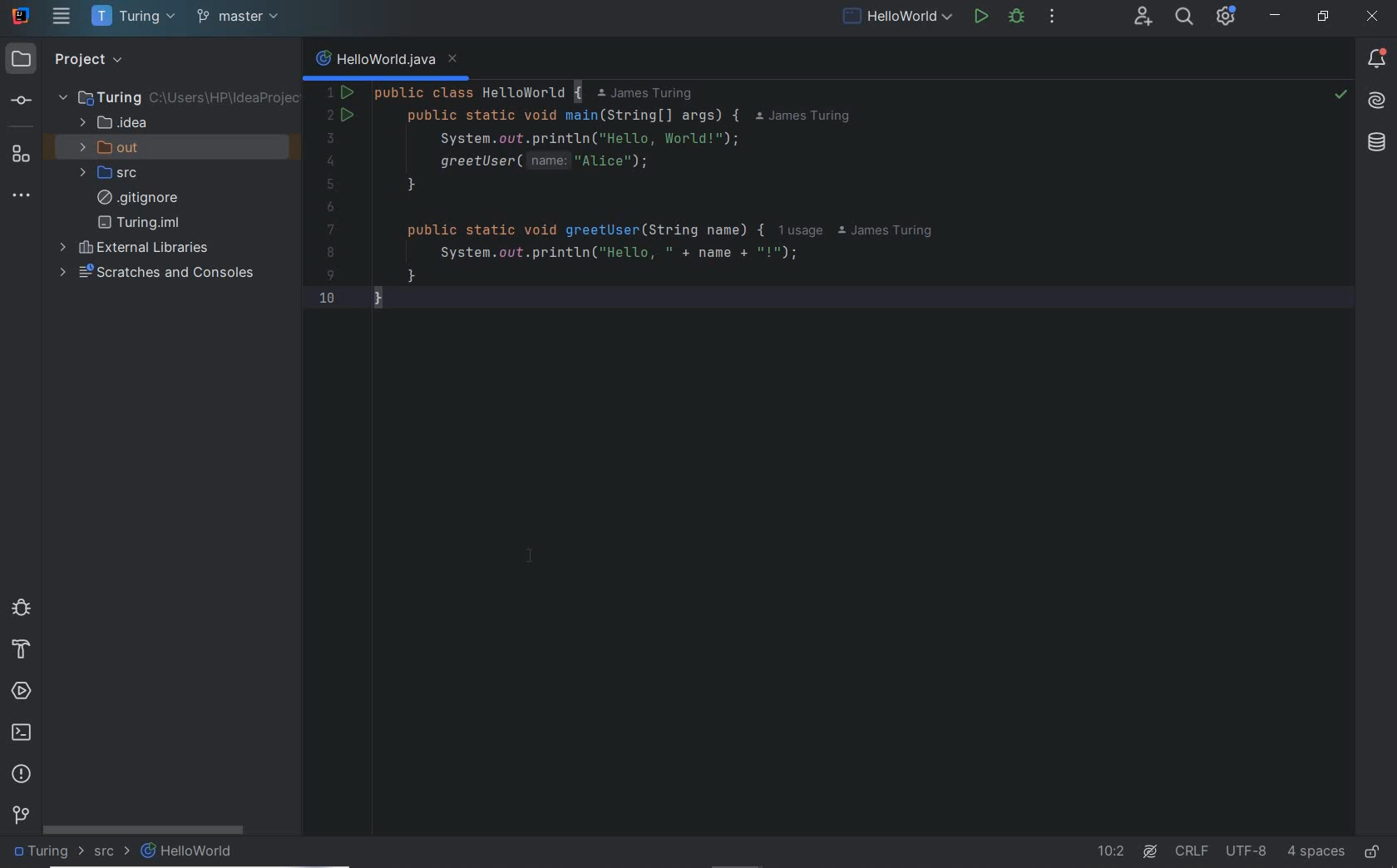  What do you see at coordinates (1378, 101) in the screenshot?
I see `AI Assistant` at bounding box center [1378, 101].